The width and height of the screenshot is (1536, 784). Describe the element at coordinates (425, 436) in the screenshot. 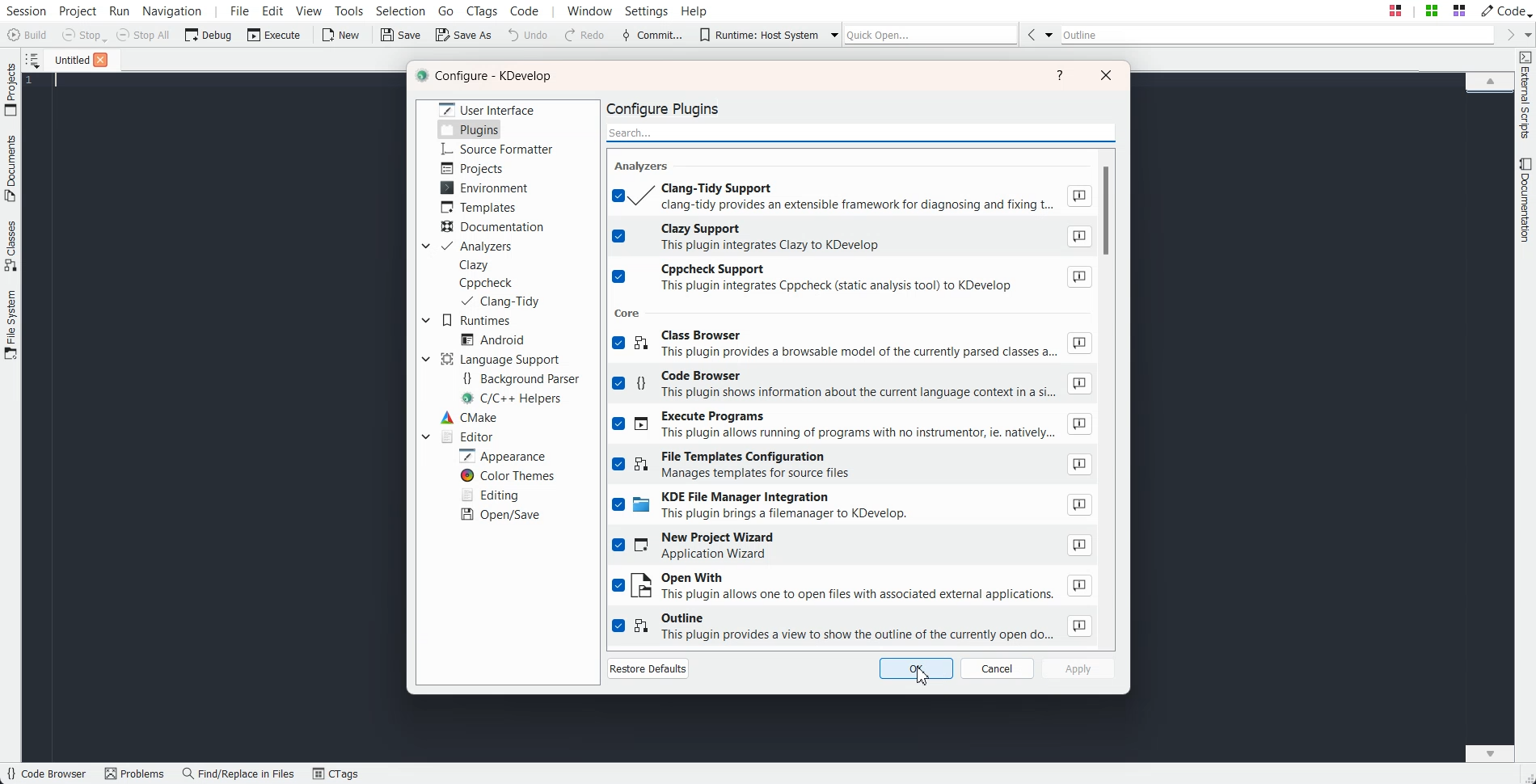

I see `Drop down box` at that location.